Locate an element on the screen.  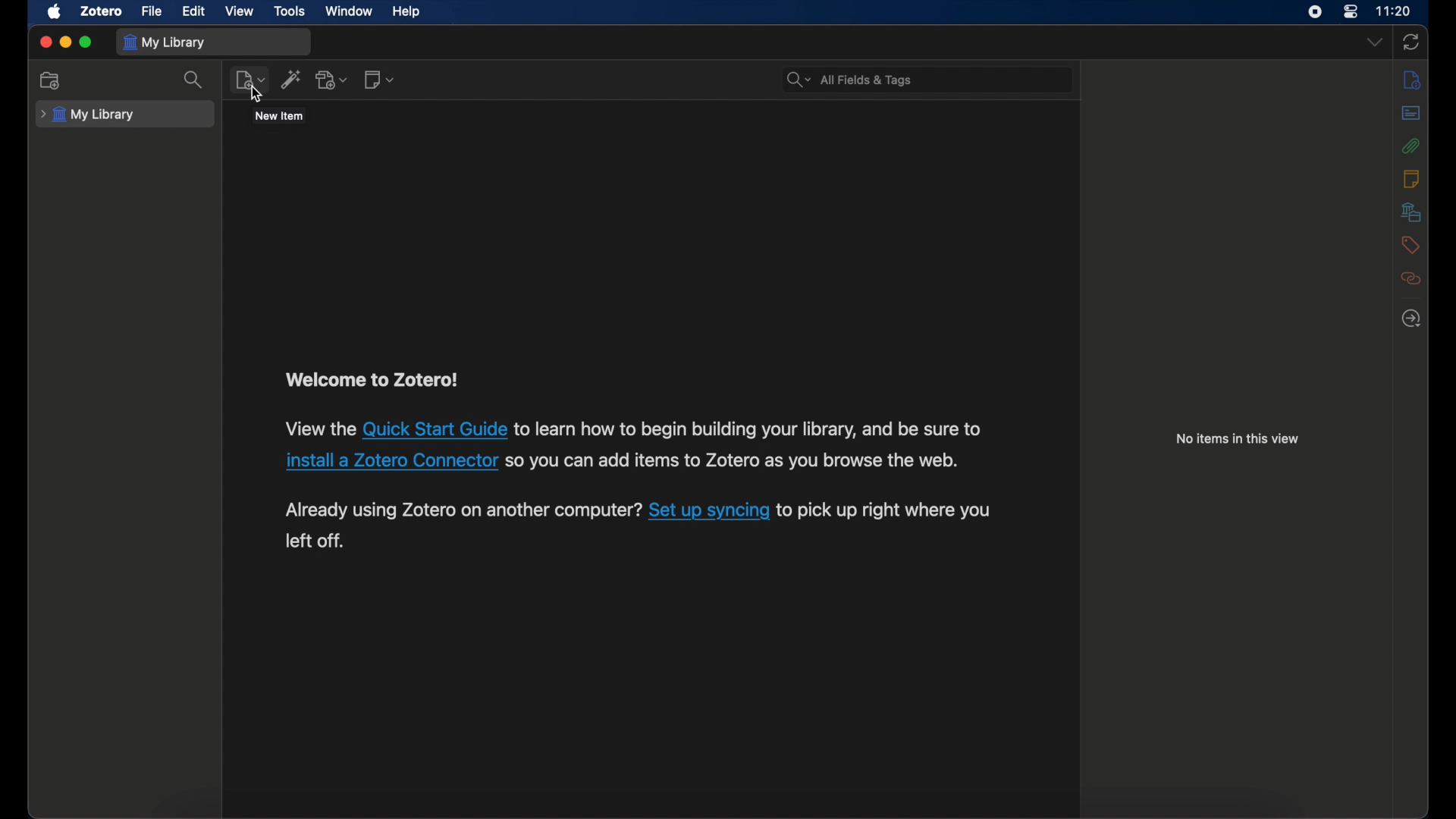
search is located at coordinates (847, 78).